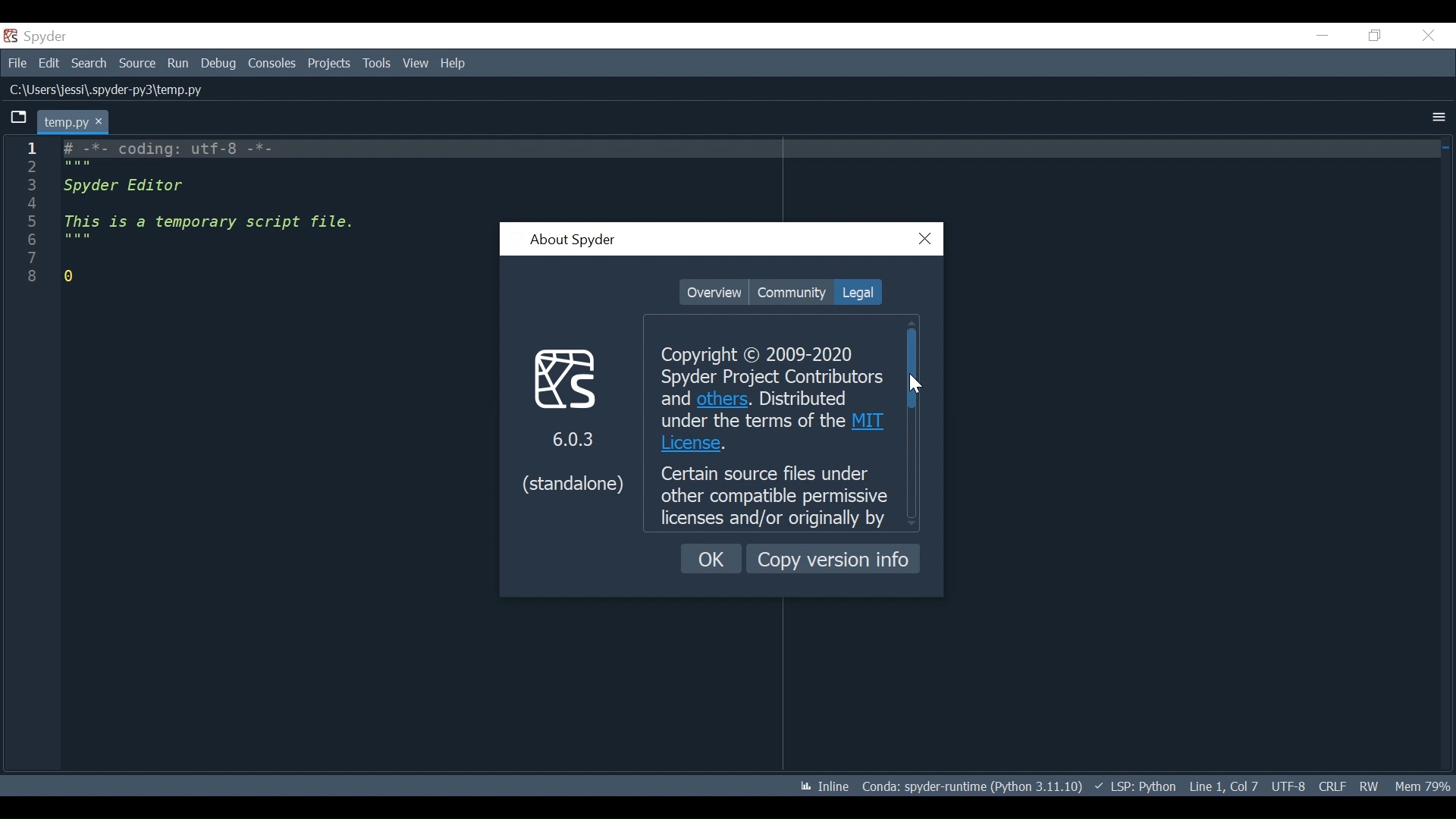 Image resolution: width=1456 pixels, height=819 pixels. I want to click on 6.0.3 (standalone), so click(573, 419).